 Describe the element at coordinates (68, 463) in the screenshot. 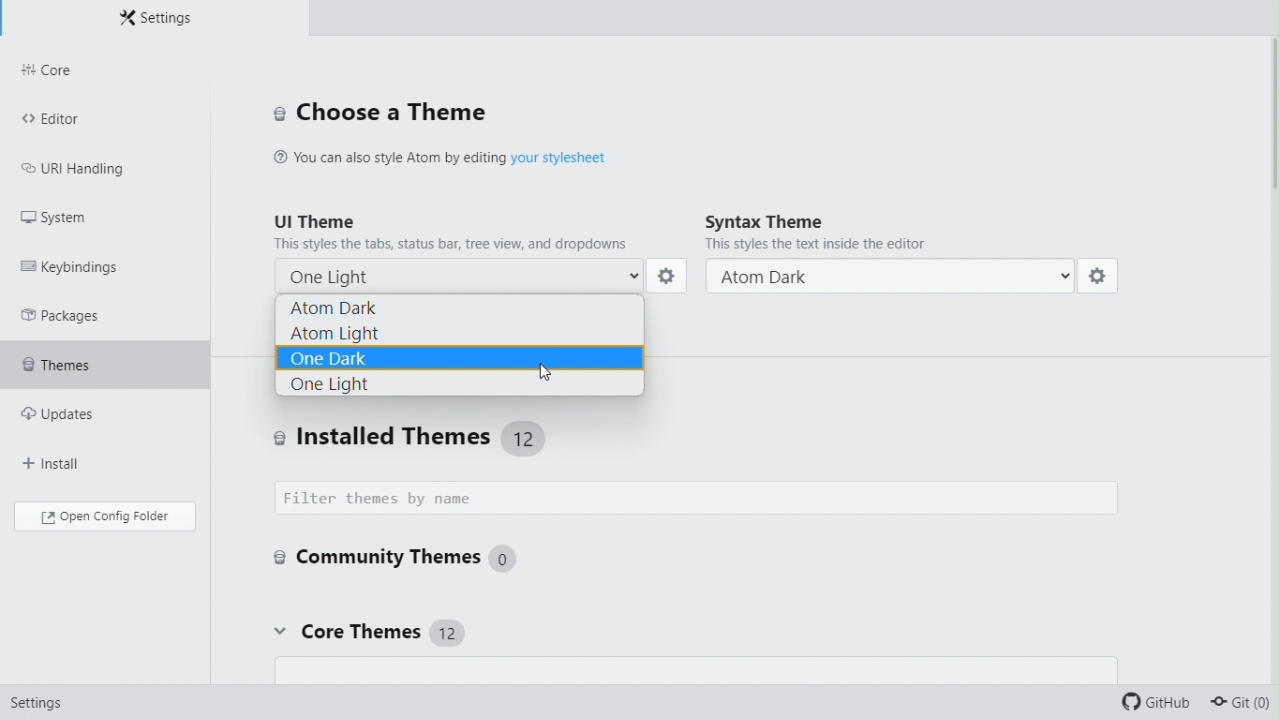

I see `Install` at that location.